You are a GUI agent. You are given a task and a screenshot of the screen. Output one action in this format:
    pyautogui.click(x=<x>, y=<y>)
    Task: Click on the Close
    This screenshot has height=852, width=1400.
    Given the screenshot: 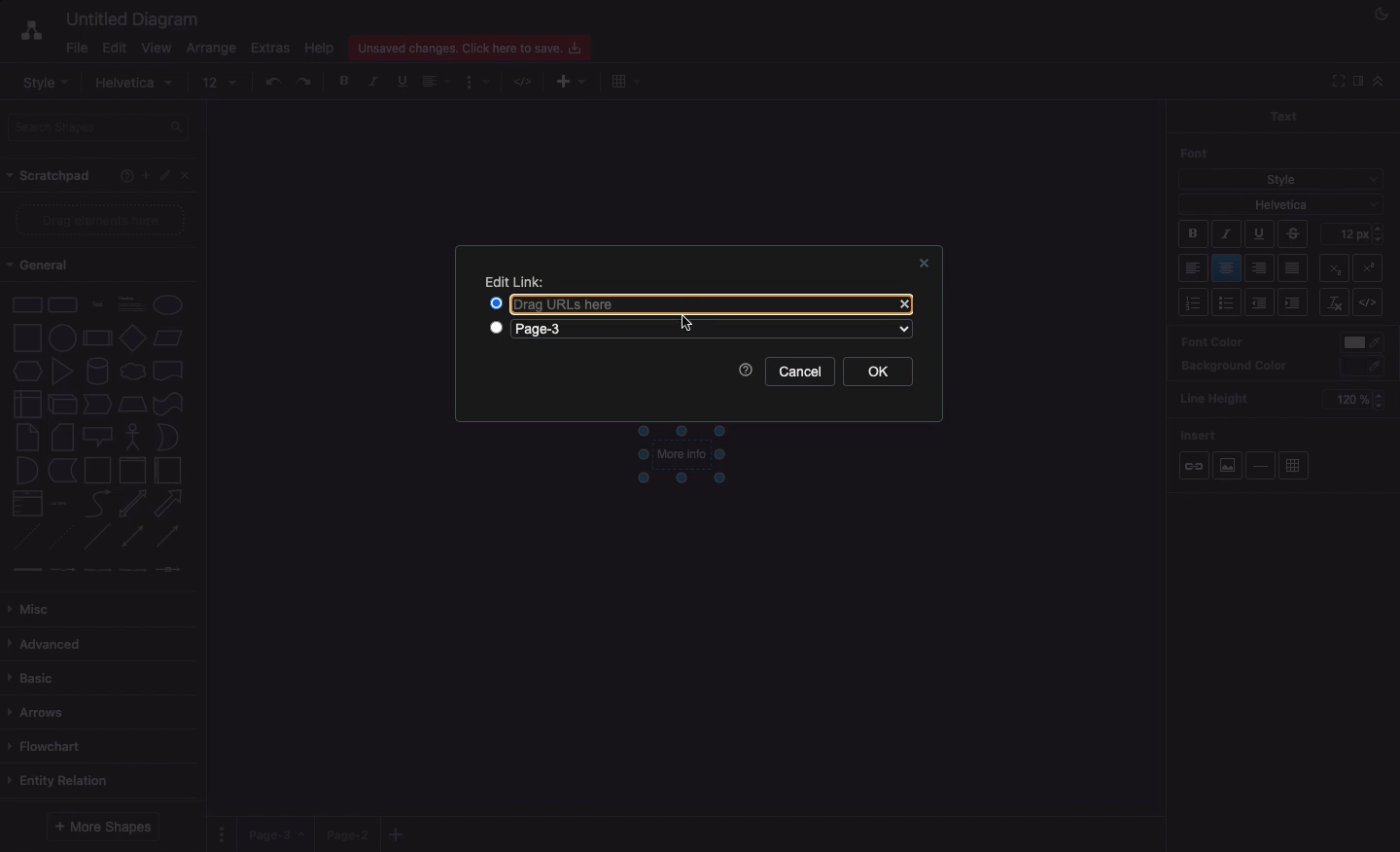 What is the action you would take?
    pyautogui.click(x=904, y=305)
    